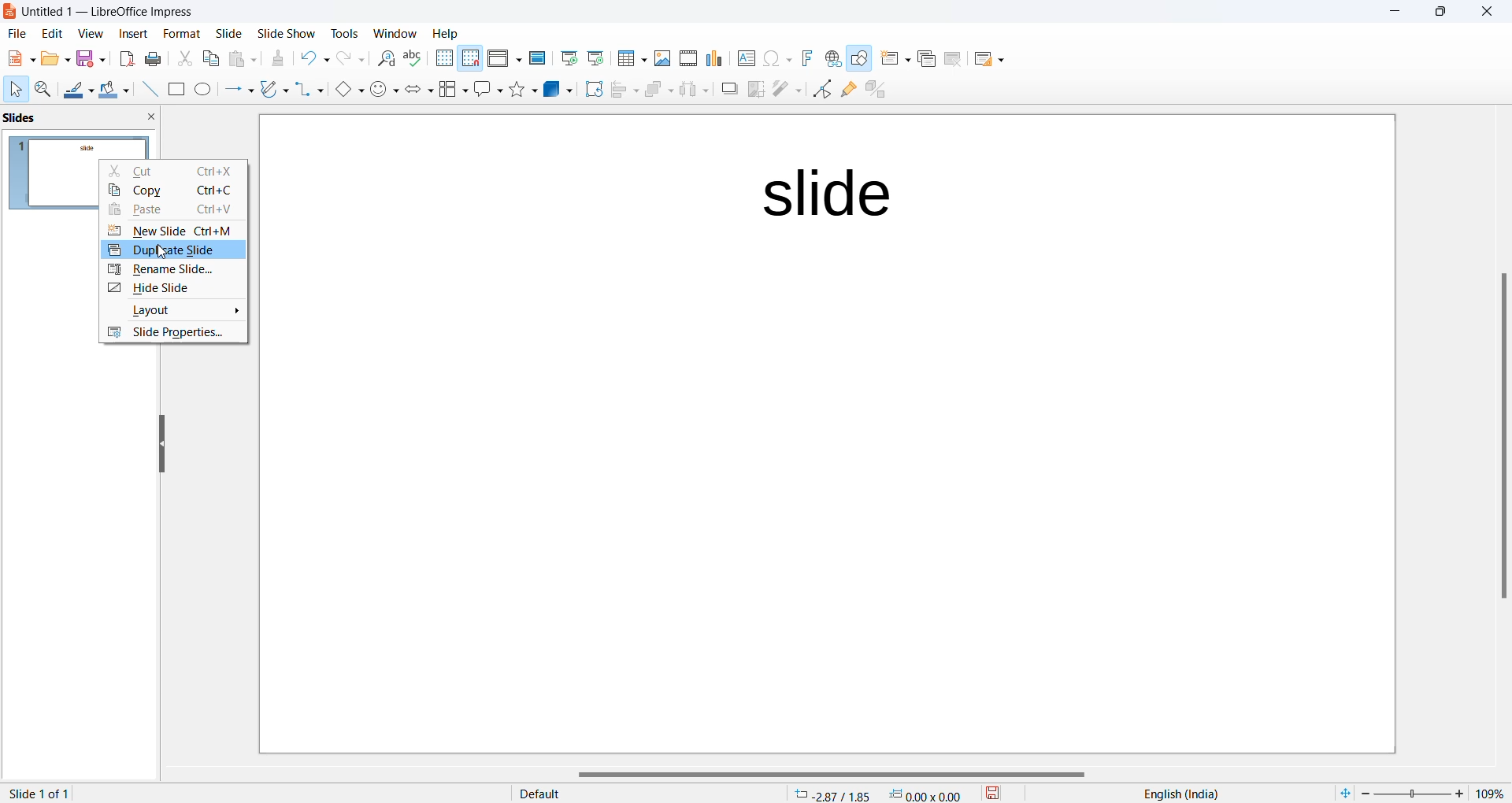  Describe the element at coordinates (91, 59) in the screenshot. I see `Save option` at that location.